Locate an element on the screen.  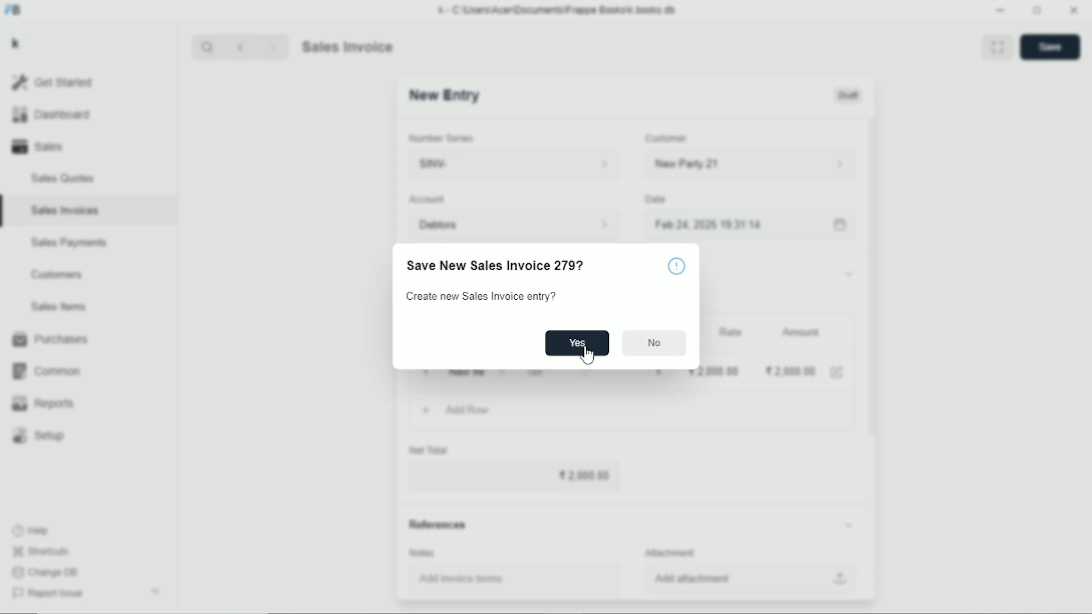
Forward is located at coordinates (275, 45).